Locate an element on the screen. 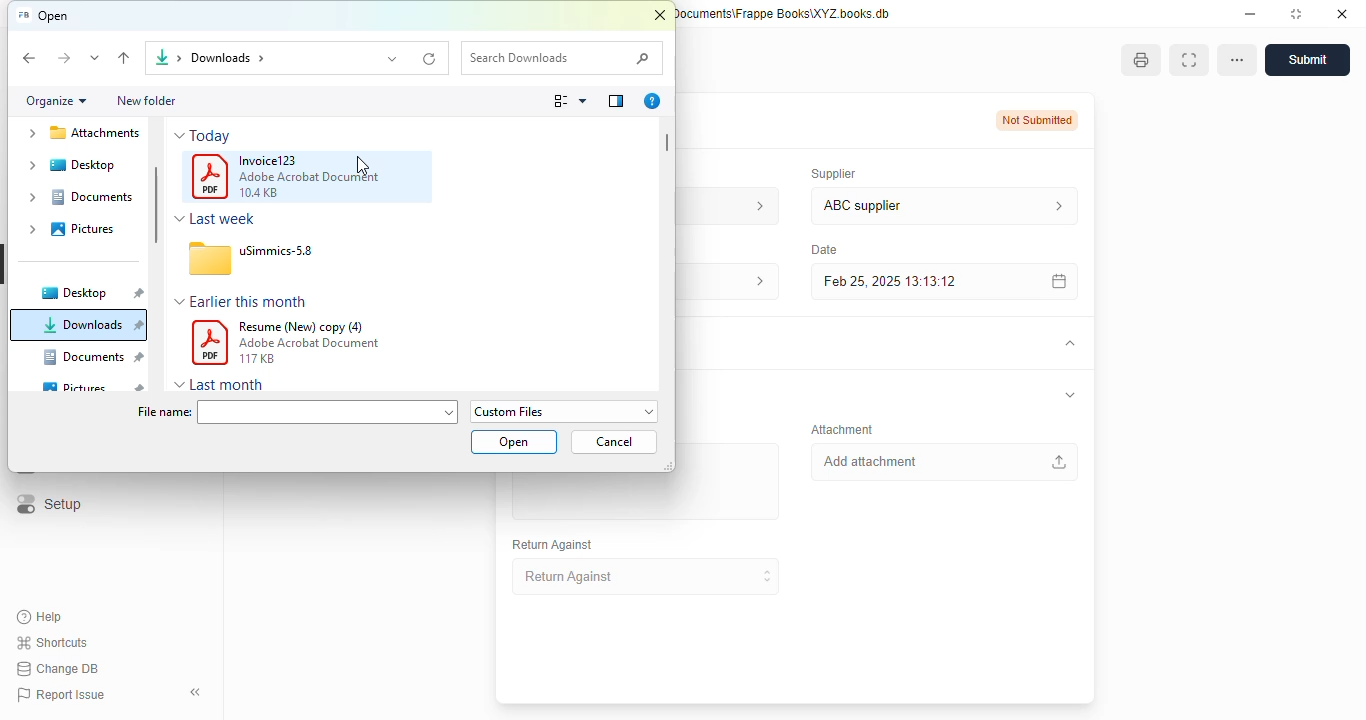 This screenshot has width=1366, height=720. supplier information is located at coordinates (1054, 206).